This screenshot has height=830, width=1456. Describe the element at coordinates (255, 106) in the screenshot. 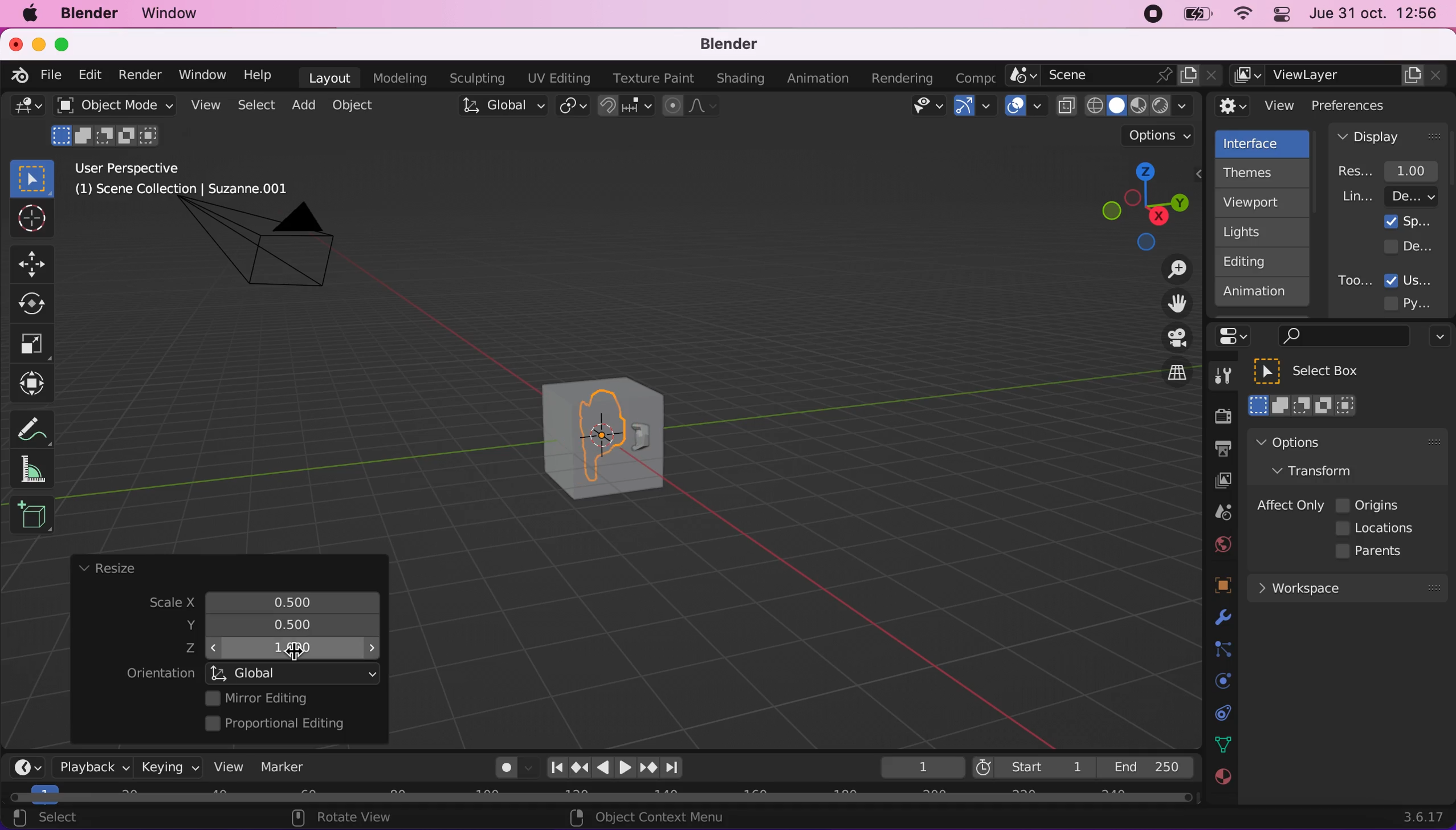

I see `select` at that location.